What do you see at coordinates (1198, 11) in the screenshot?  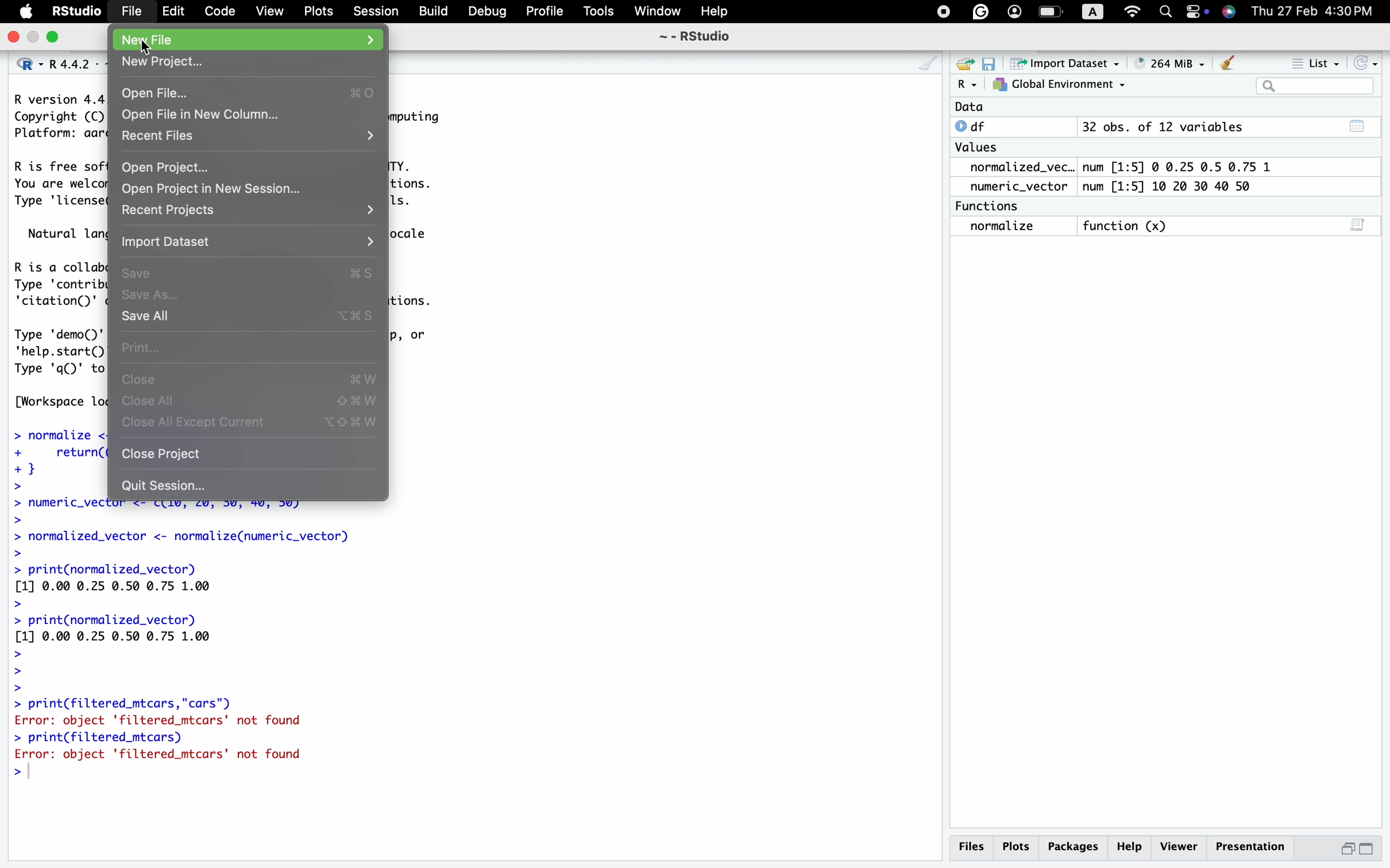 I see `toggle` at bounding box center [1198, 11].